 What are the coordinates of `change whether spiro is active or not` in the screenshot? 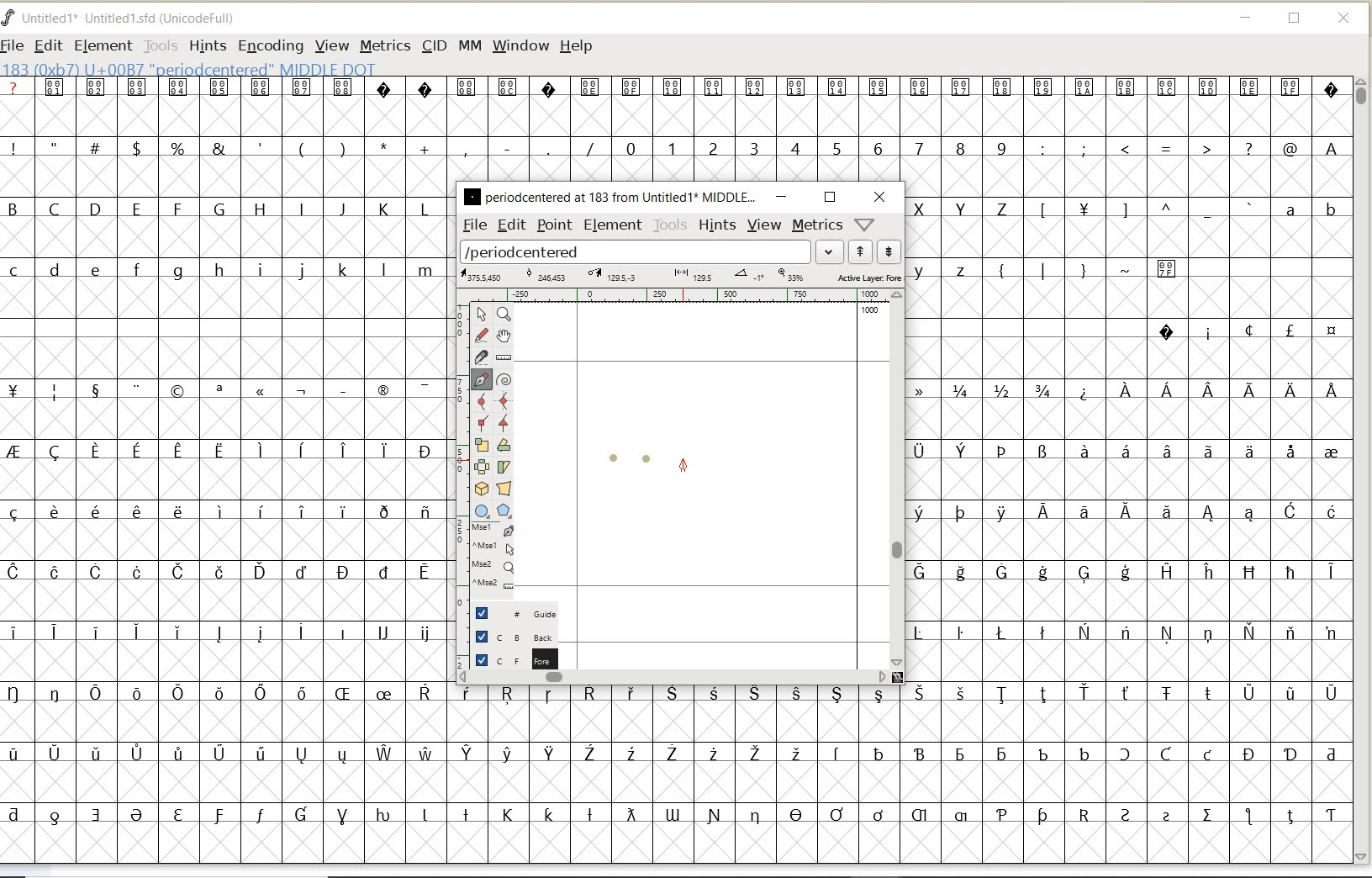 It's located at (504, 378).